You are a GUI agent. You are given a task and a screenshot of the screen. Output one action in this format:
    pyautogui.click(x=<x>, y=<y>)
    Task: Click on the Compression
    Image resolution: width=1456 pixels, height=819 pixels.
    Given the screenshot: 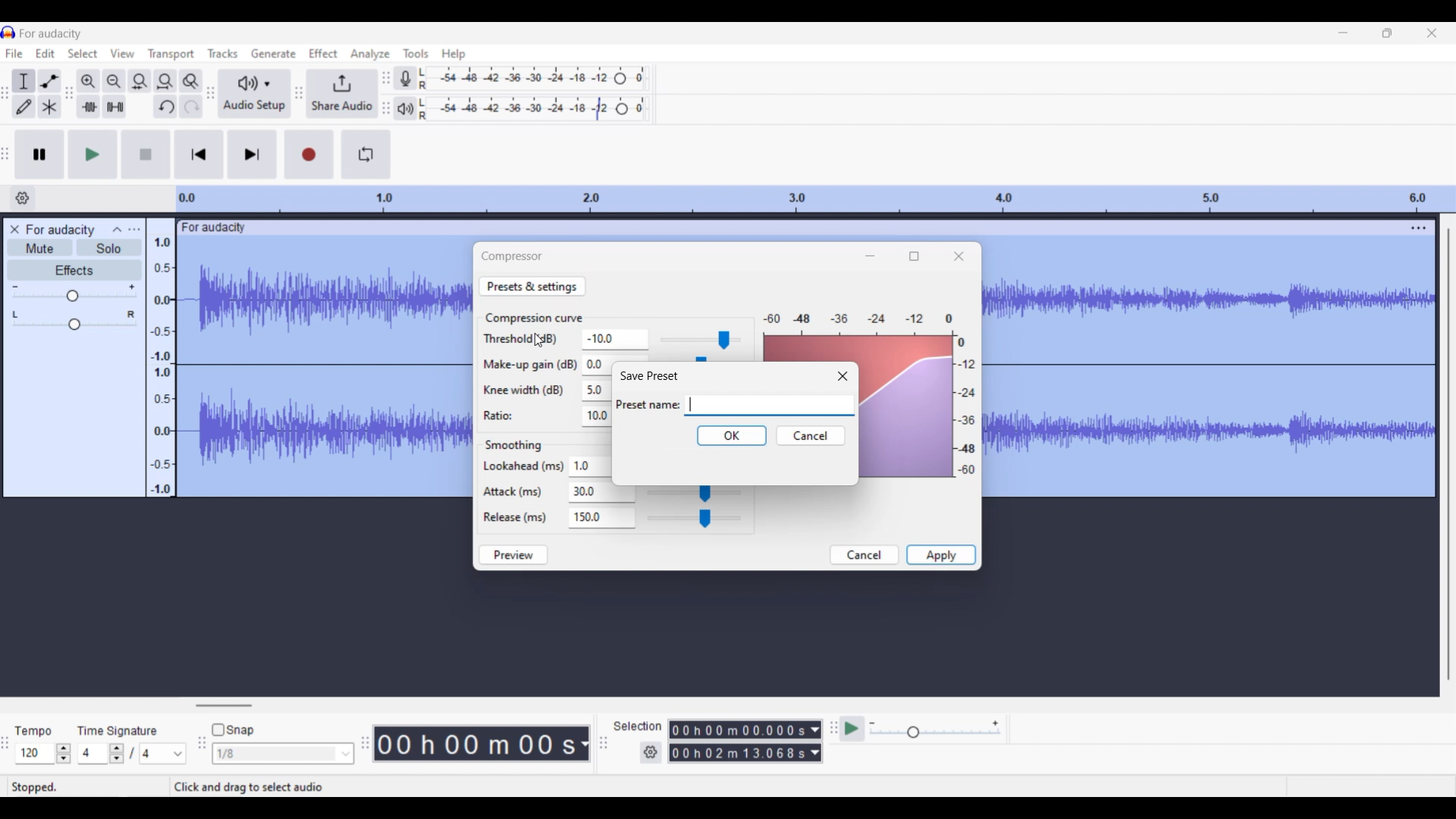 What is the action you would take?
    pyautogui.click(x=512, y=256)
    